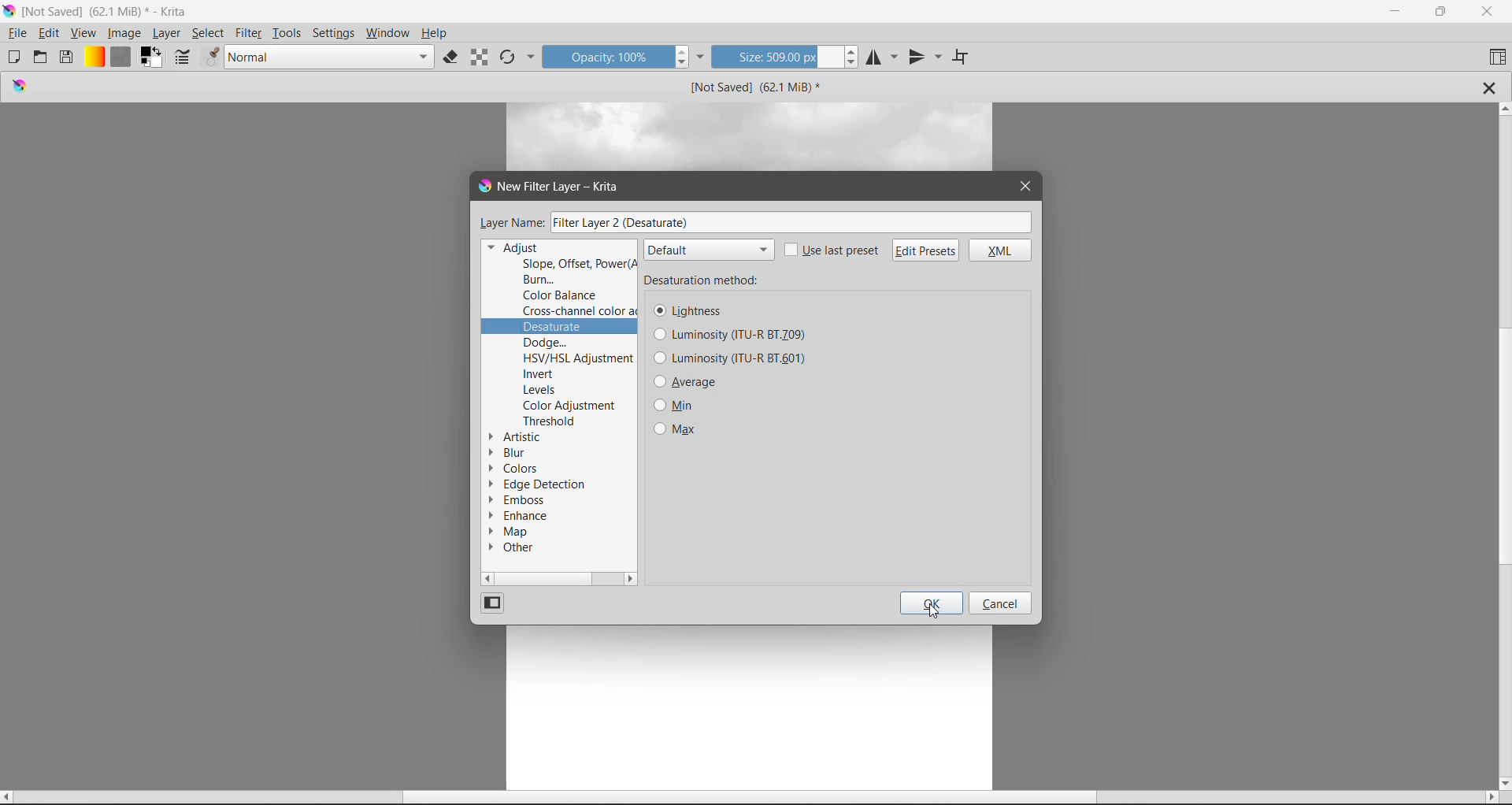  I want to click on File, so click(17, 33).